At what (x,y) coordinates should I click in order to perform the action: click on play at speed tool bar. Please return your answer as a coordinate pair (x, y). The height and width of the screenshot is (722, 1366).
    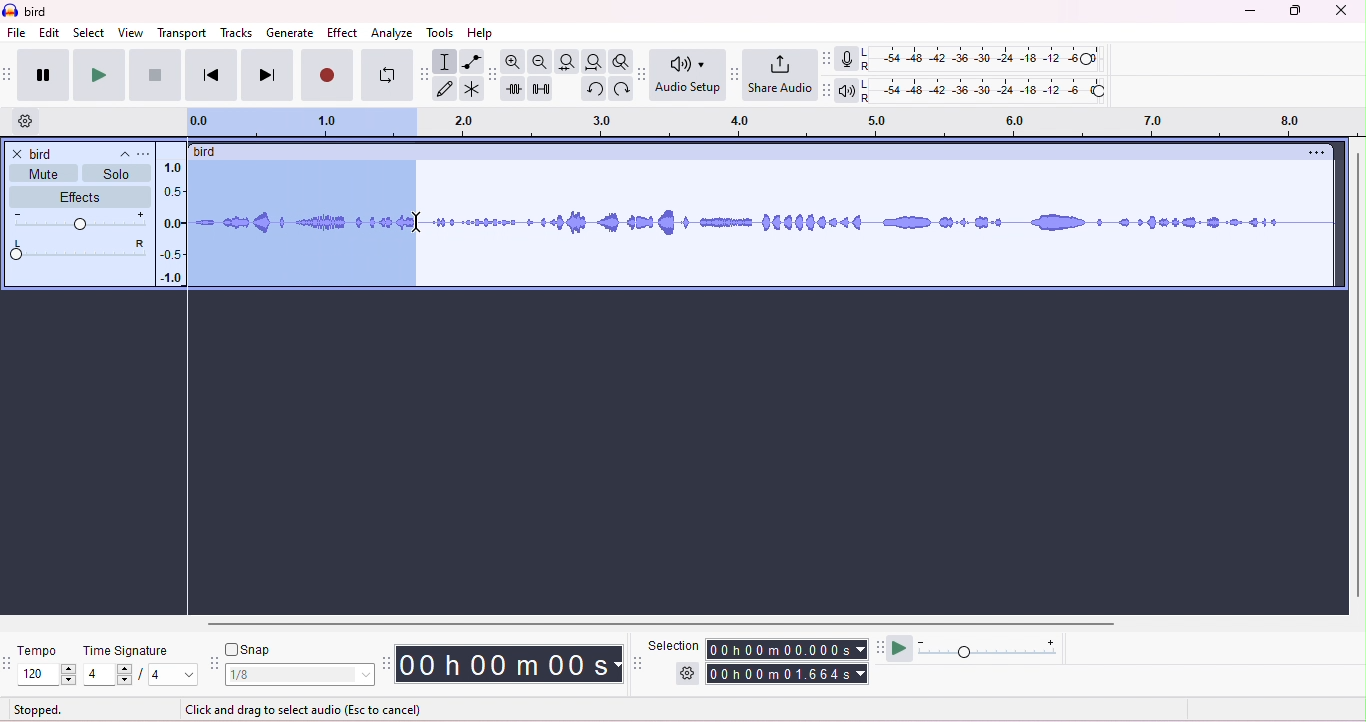
    Looking at the image, I should click on (878, 646).